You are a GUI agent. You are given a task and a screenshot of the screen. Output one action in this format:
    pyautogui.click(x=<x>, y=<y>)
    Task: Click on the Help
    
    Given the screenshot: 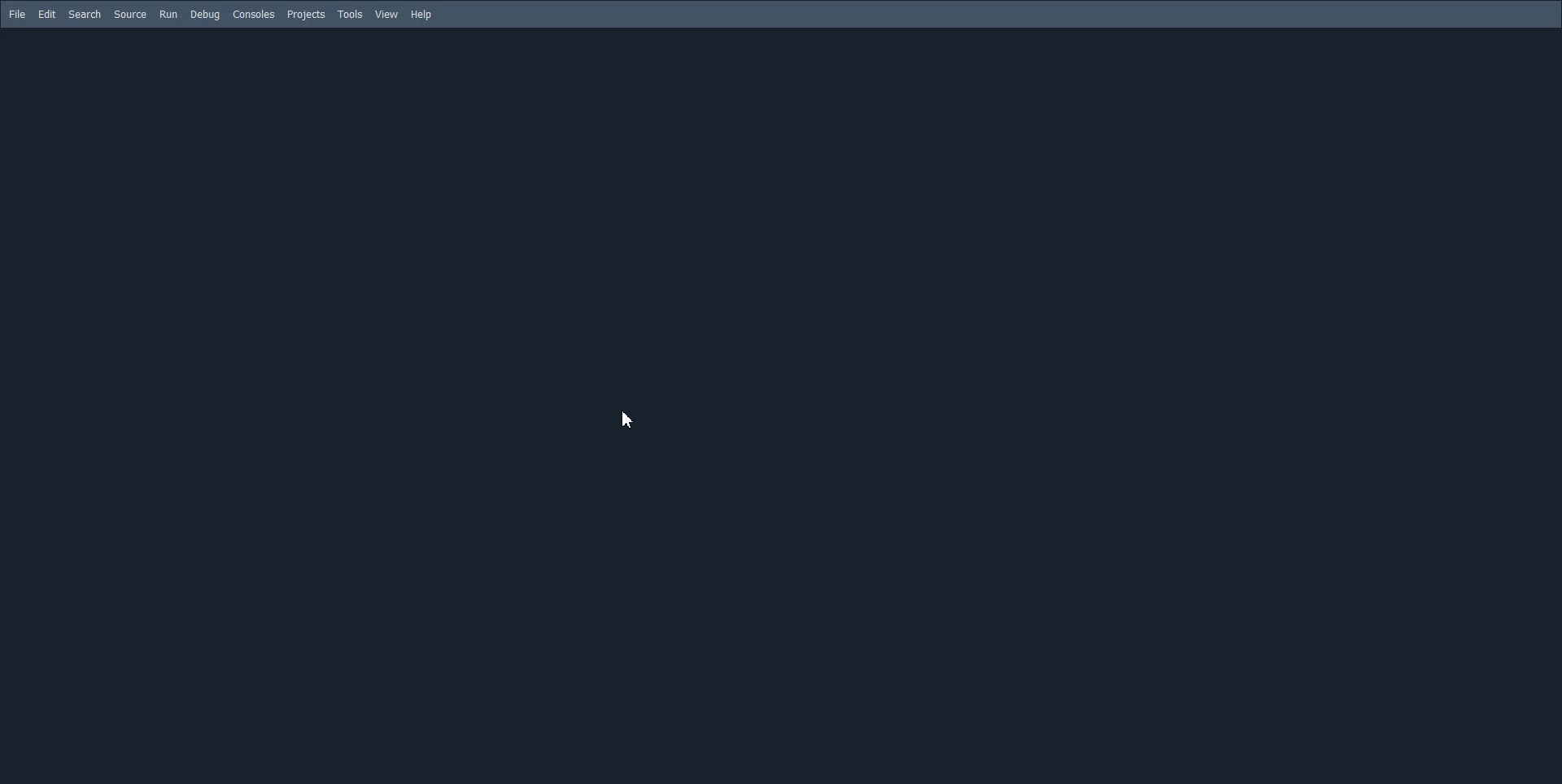 What is the action you would take?
    pyautogui.click(x=421, y=15)
    